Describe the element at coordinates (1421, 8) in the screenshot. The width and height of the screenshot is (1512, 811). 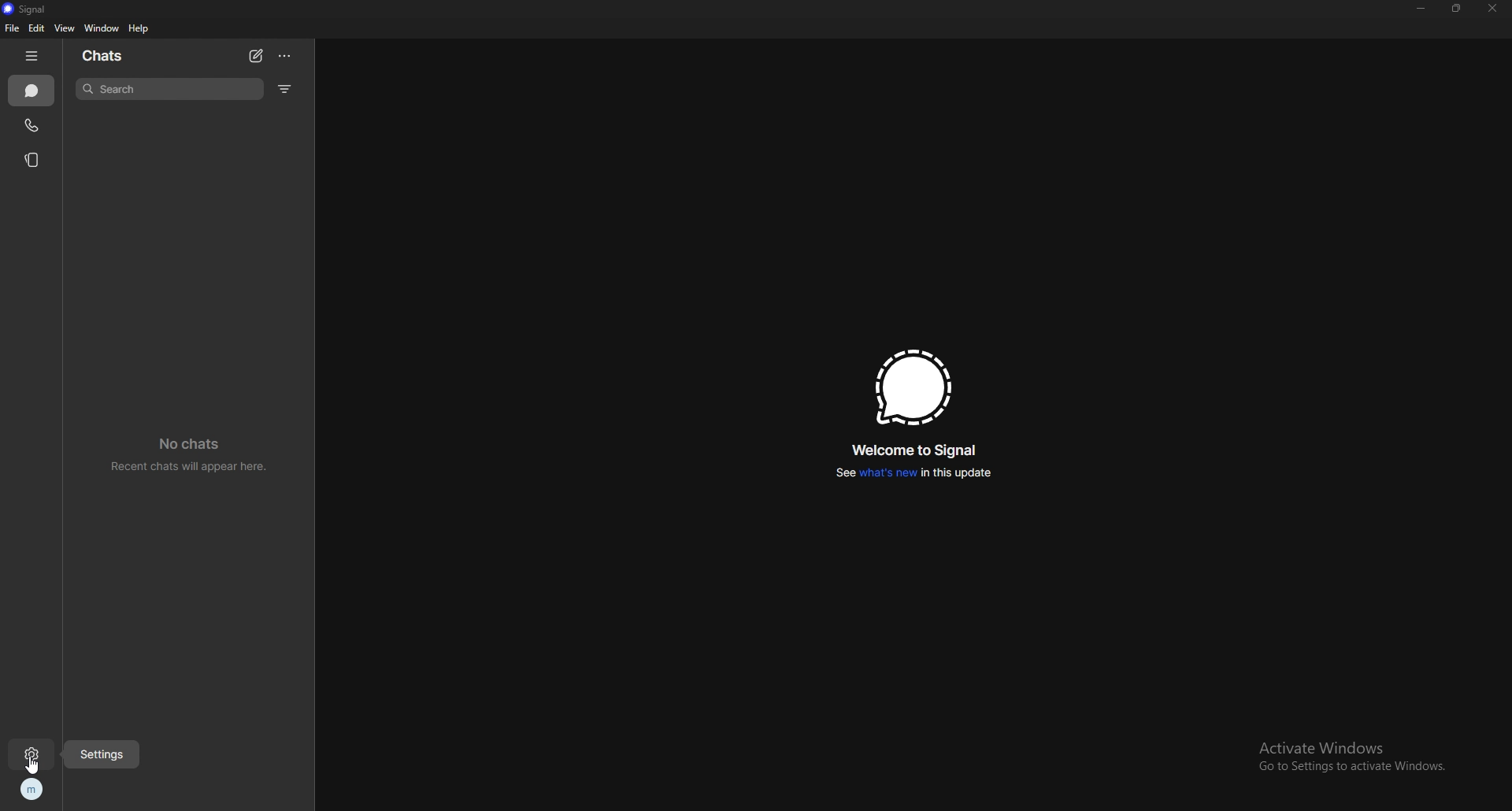
I see `minimize` at that location.